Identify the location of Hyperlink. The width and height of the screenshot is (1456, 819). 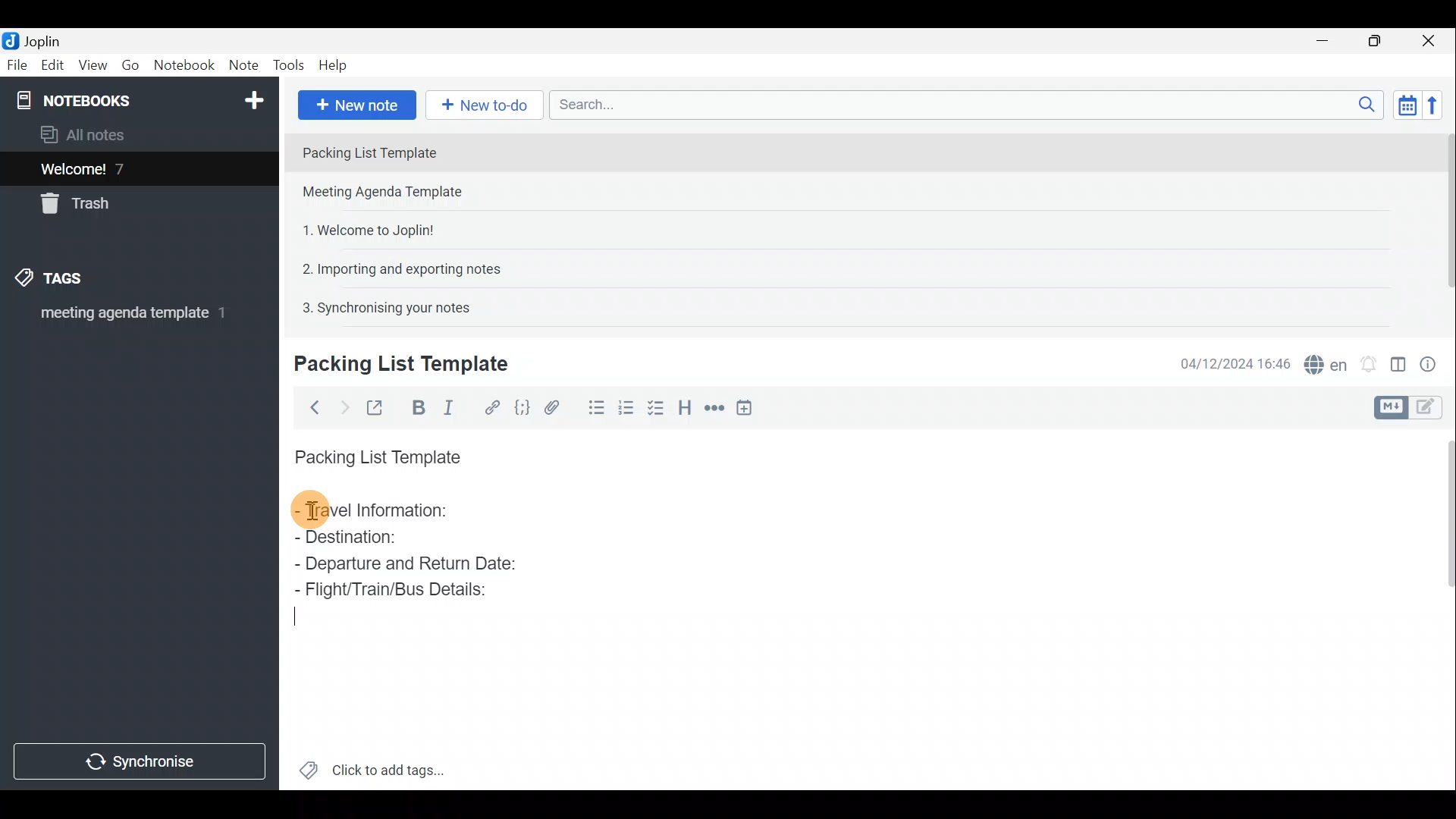
(489, 406).